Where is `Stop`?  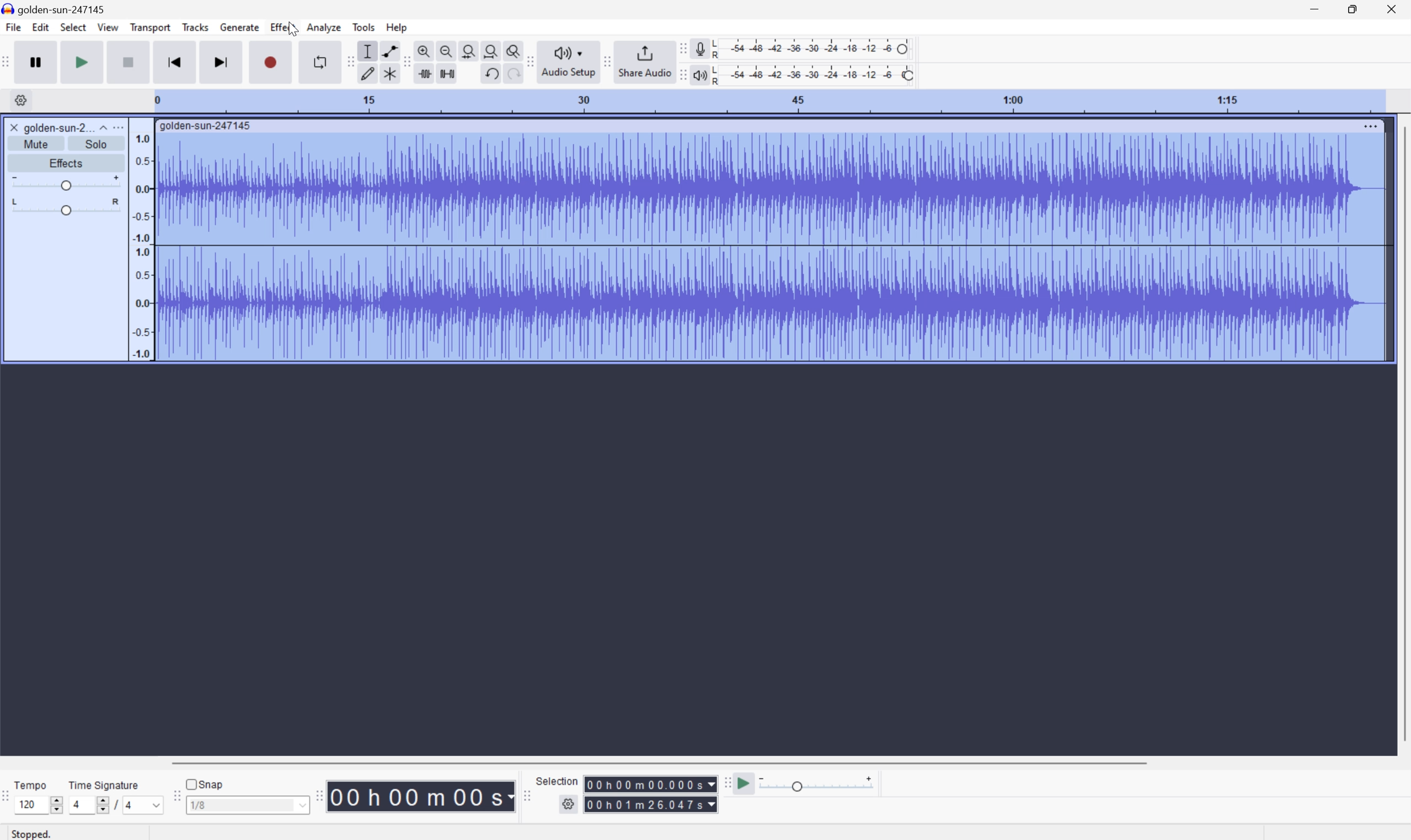
Stop is located at coordinates (129, 62).